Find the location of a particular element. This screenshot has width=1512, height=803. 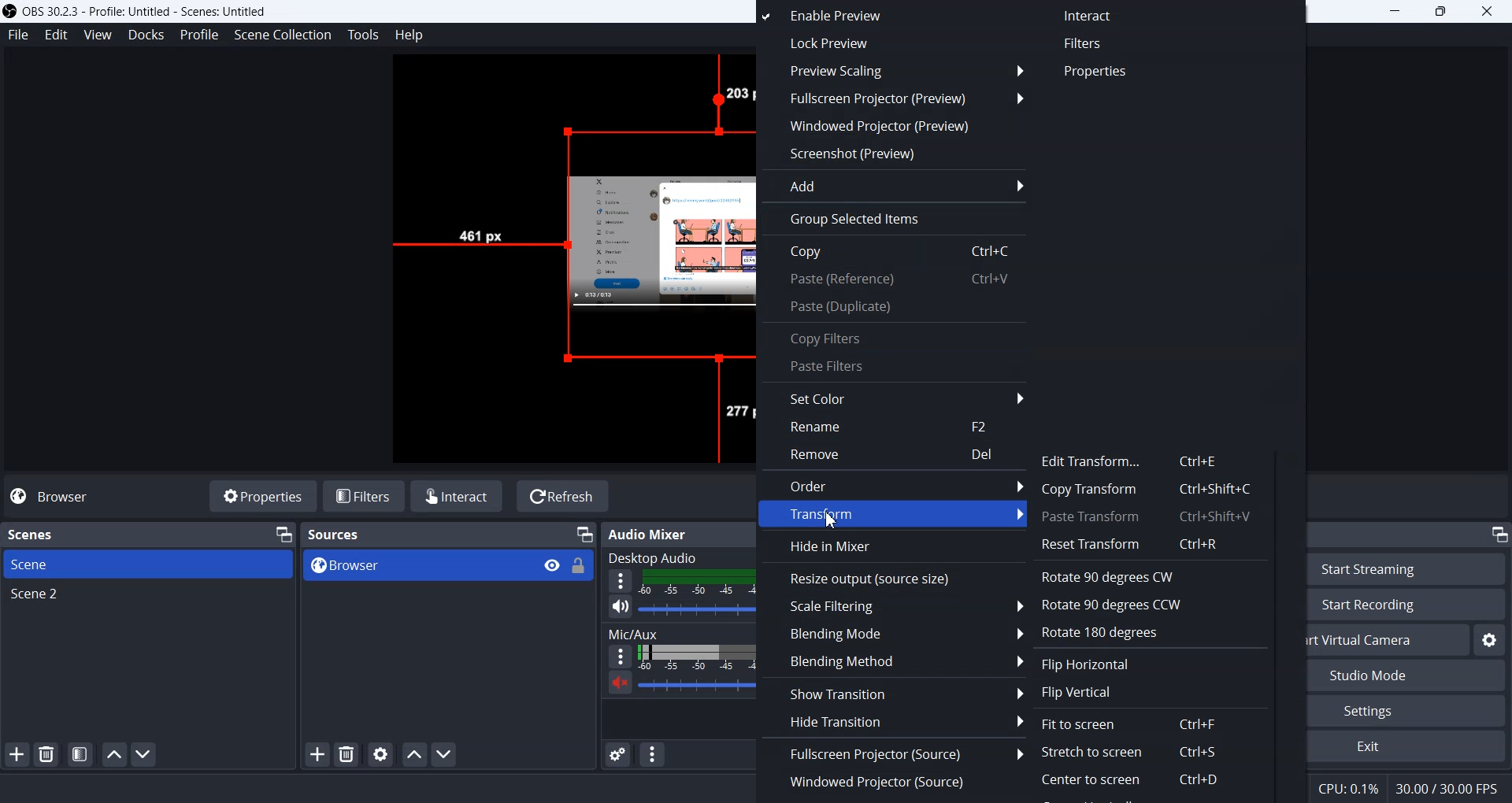

Settings is located at coordinates (1405, 709).